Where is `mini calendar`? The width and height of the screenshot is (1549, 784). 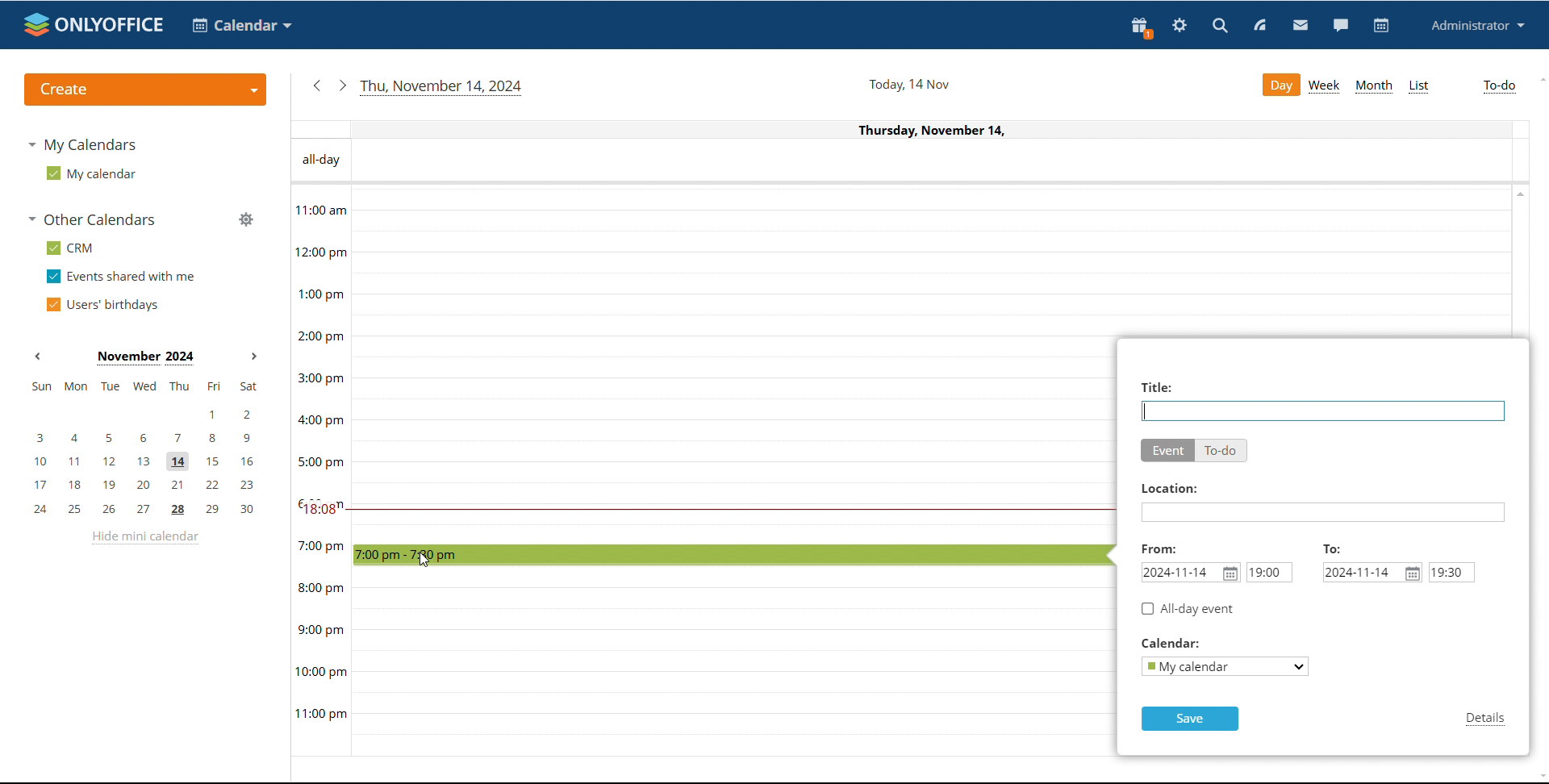 mini calendar is located at coordinates (144, 449).